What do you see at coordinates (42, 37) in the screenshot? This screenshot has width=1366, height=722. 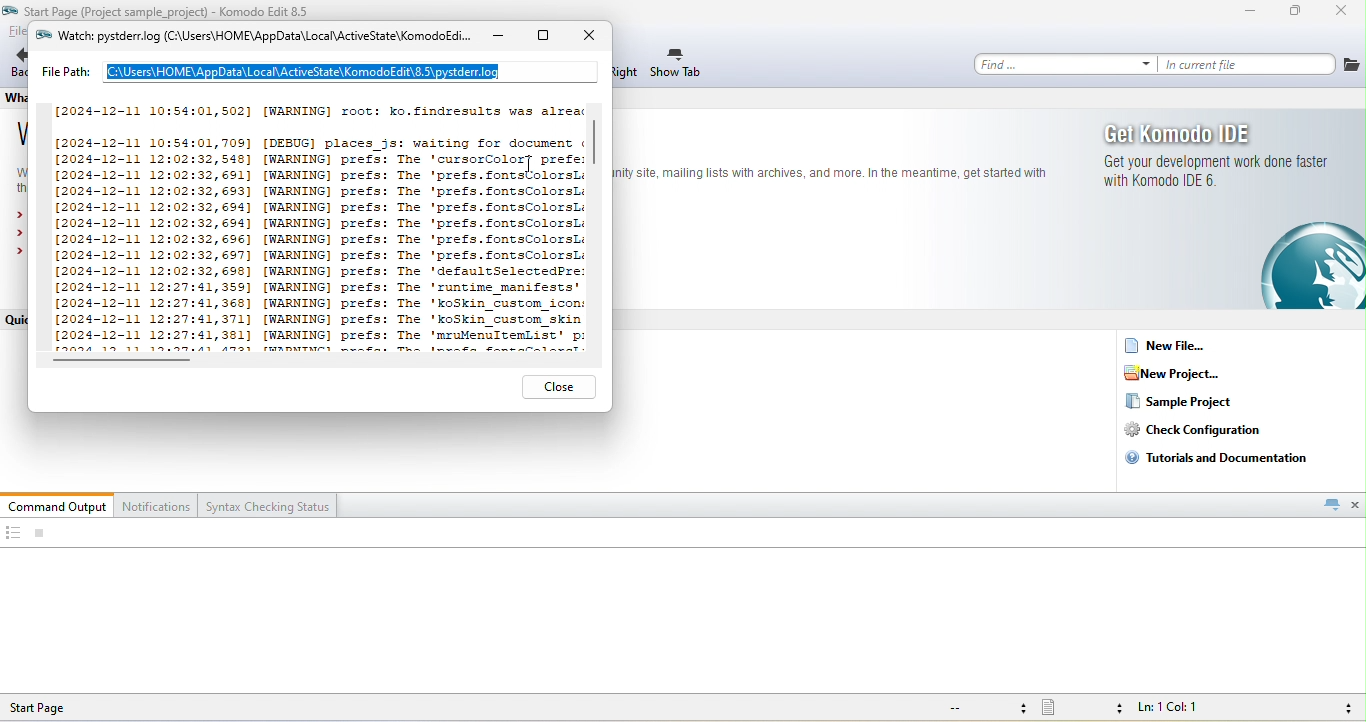 I see `app icon` at bounding box center [42, 37].